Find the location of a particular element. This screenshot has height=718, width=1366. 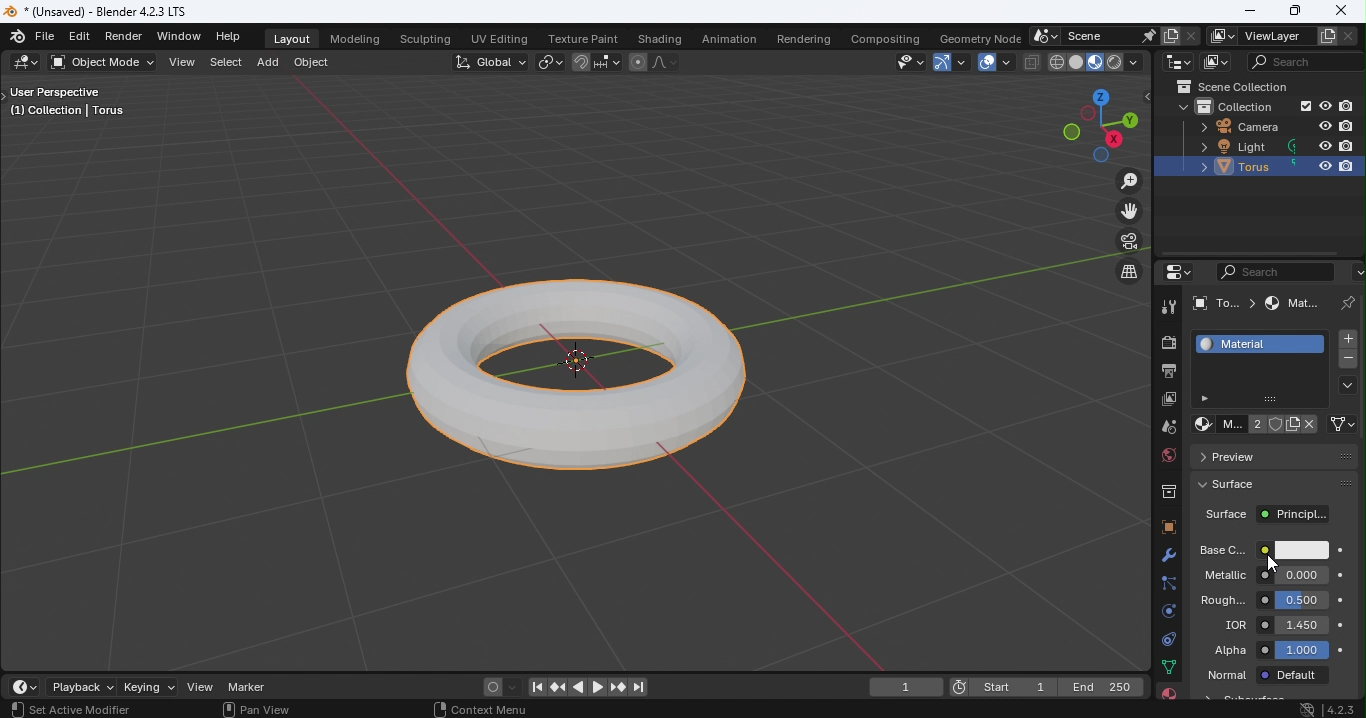

Hide in viewpoint is located at coordinates (1324, 106).